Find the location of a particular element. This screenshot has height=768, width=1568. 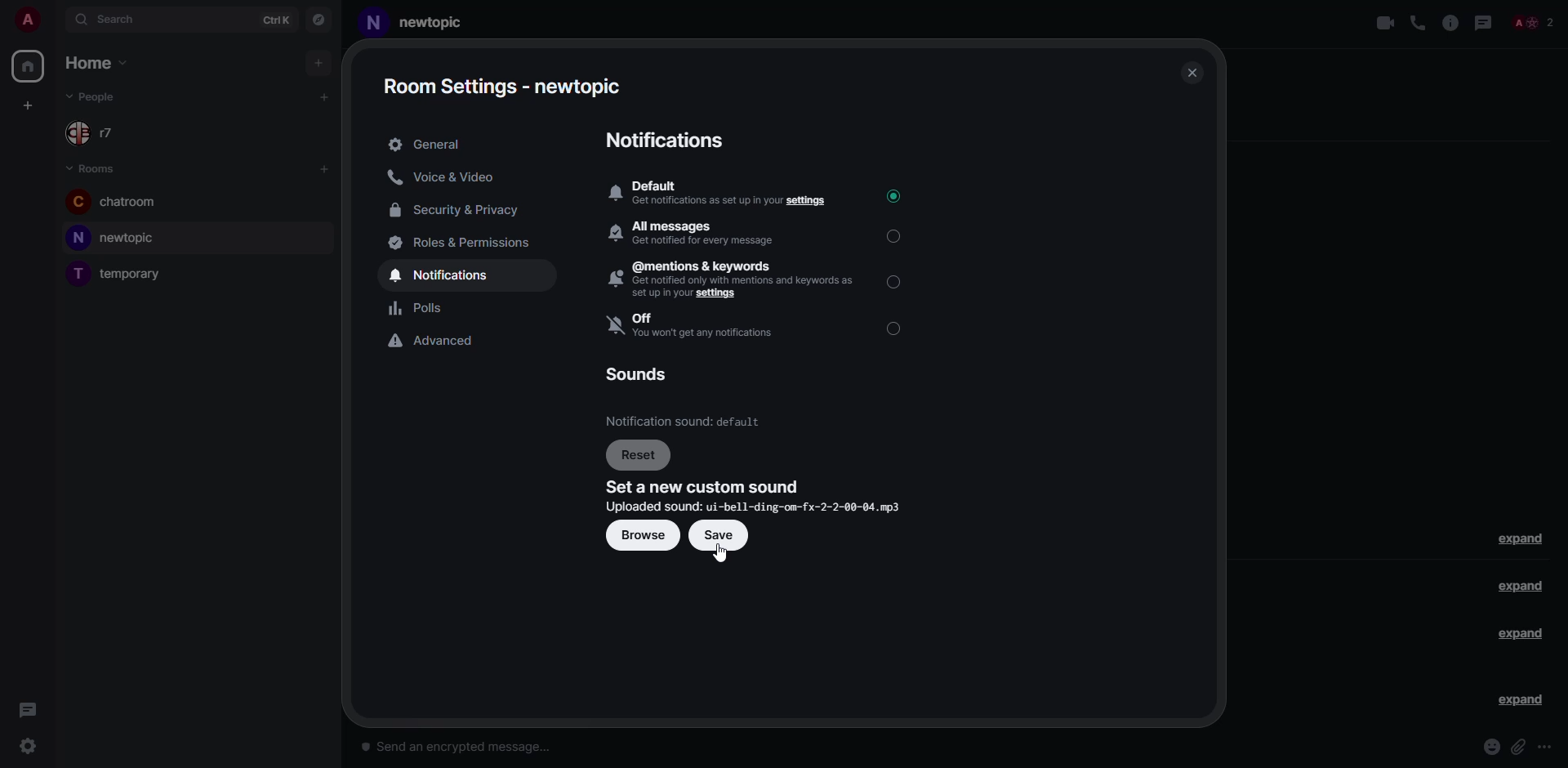

sound is located at coordinates (686, 421).